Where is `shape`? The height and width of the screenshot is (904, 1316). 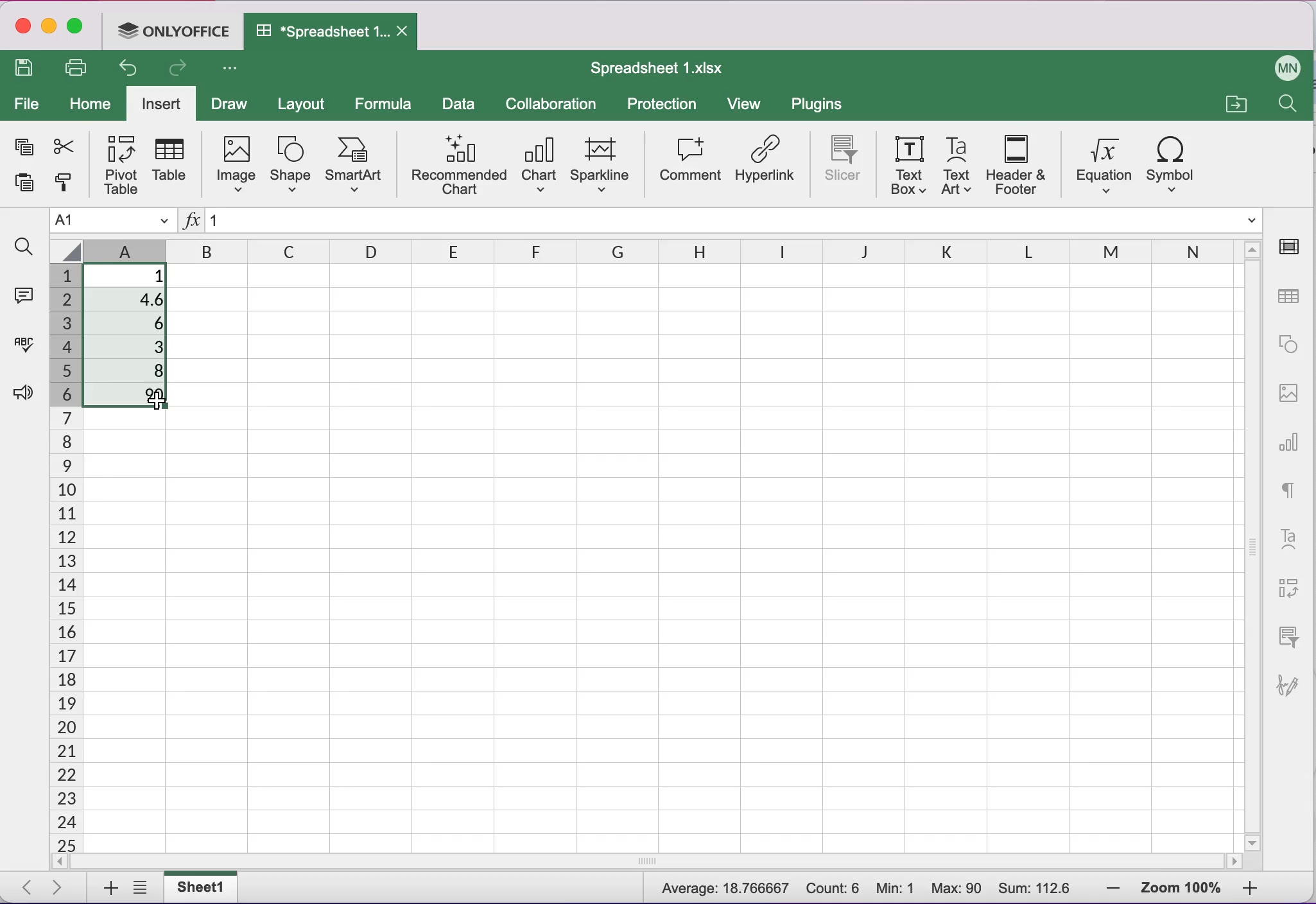 shape is located at coordinates (289, 168).